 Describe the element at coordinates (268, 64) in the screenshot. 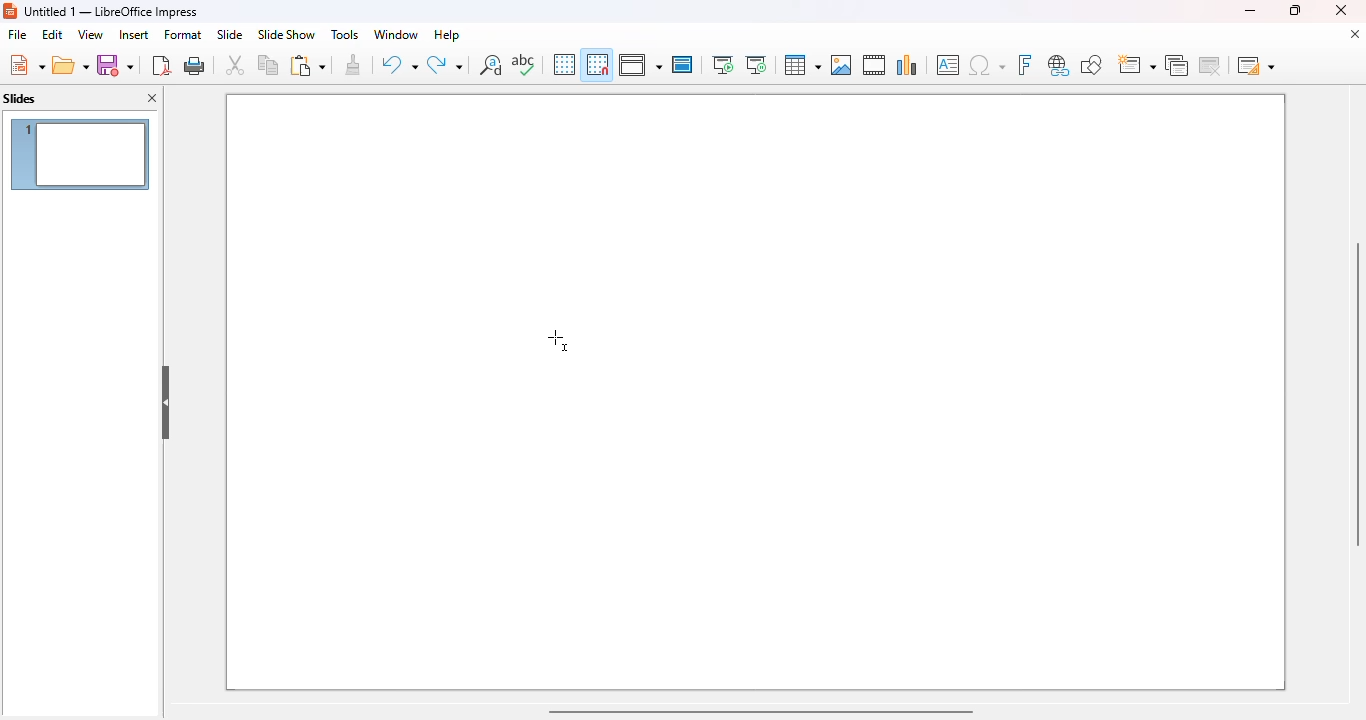

I see `copy` at that location.